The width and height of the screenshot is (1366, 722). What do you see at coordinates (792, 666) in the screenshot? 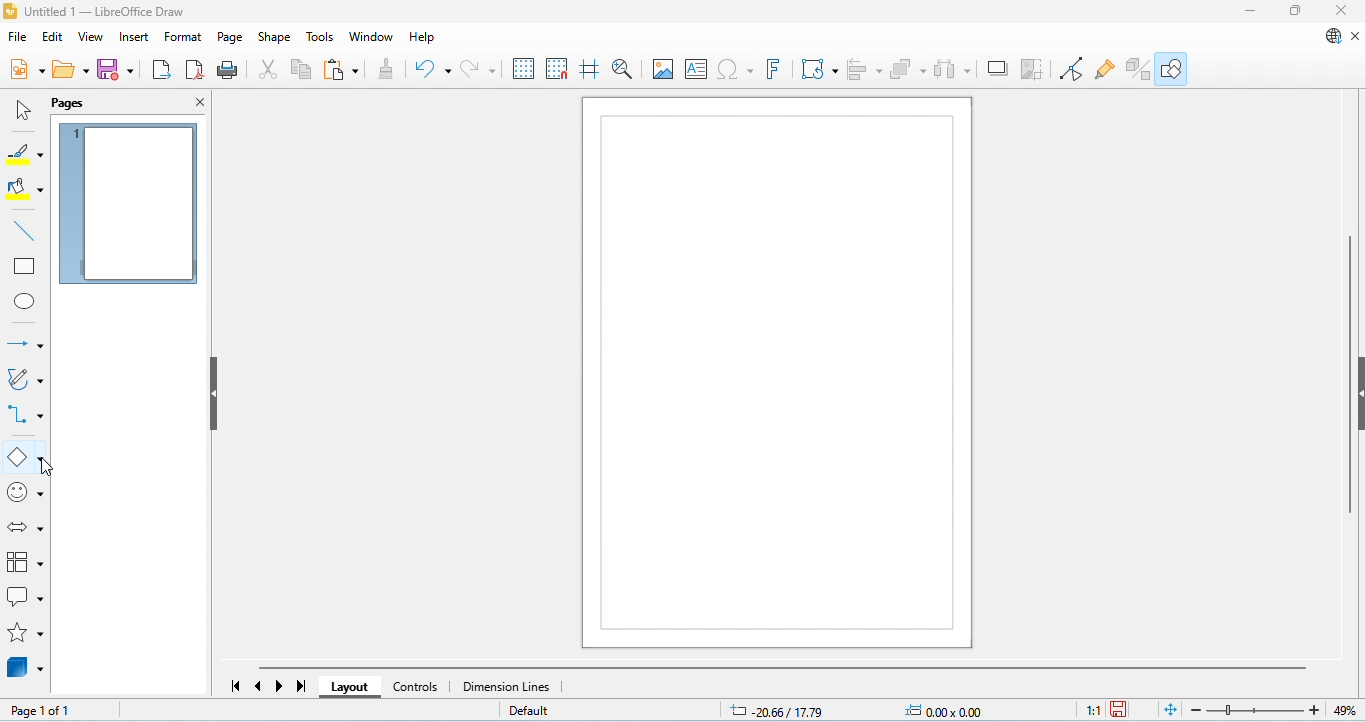
I see `horizontal scroll bar` at bounding box center [792, 666].